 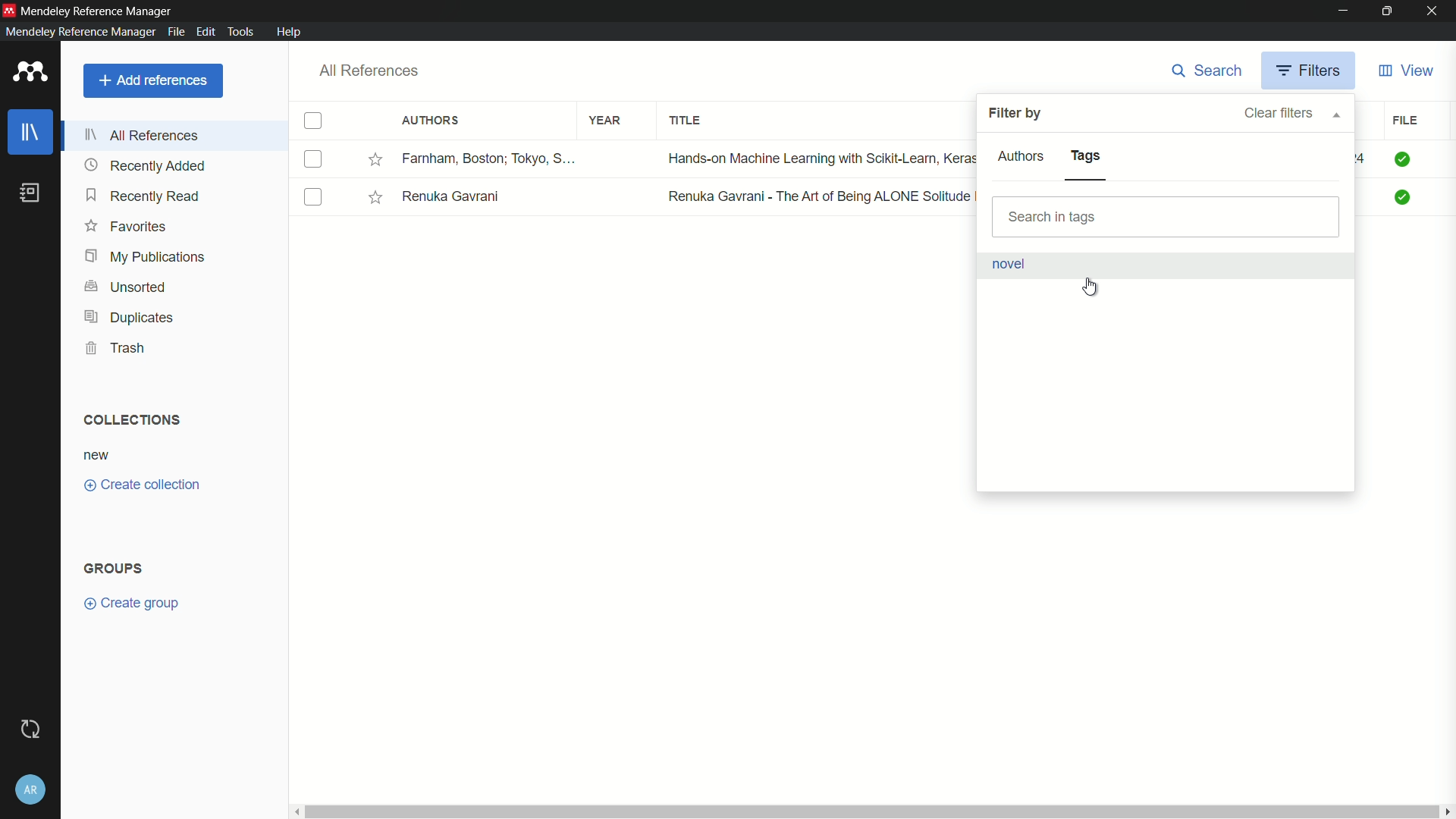 I want to click on edit menu, so click(x=206, y=32).